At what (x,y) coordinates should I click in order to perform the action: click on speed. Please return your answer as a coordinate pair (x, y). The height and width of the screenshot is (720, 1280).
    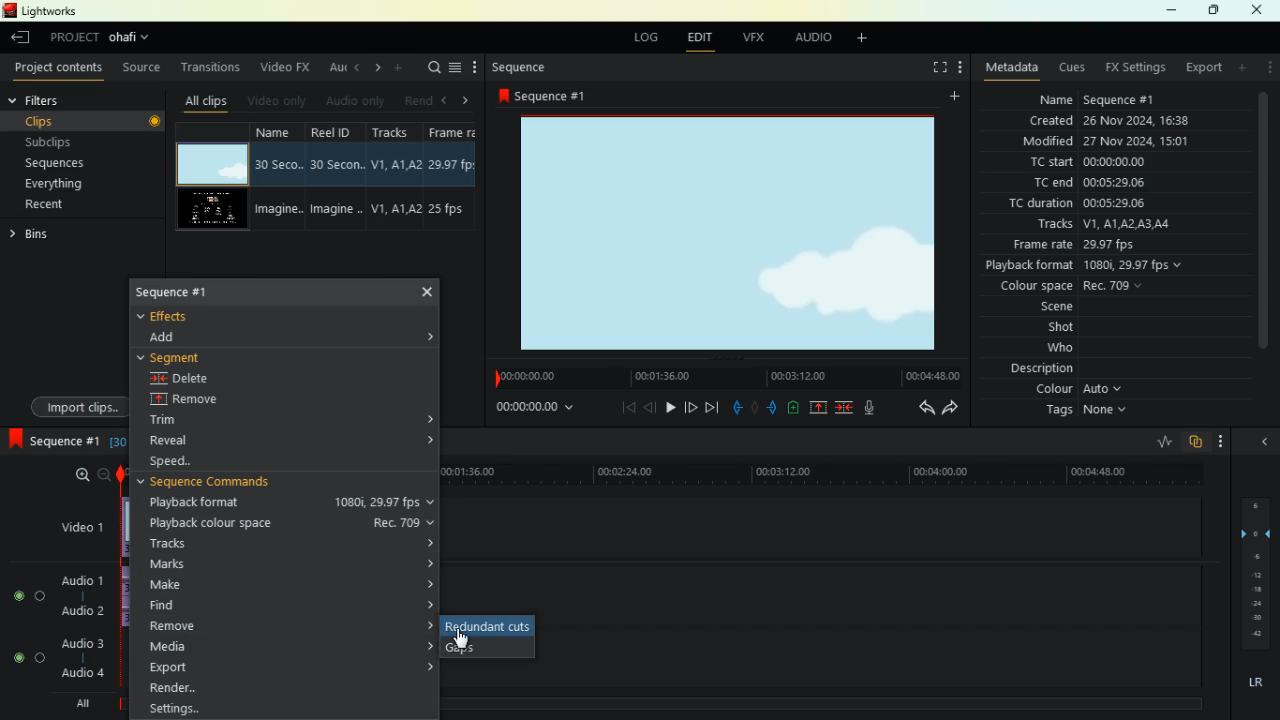
    Looking at the image, I should click on (174, 462).